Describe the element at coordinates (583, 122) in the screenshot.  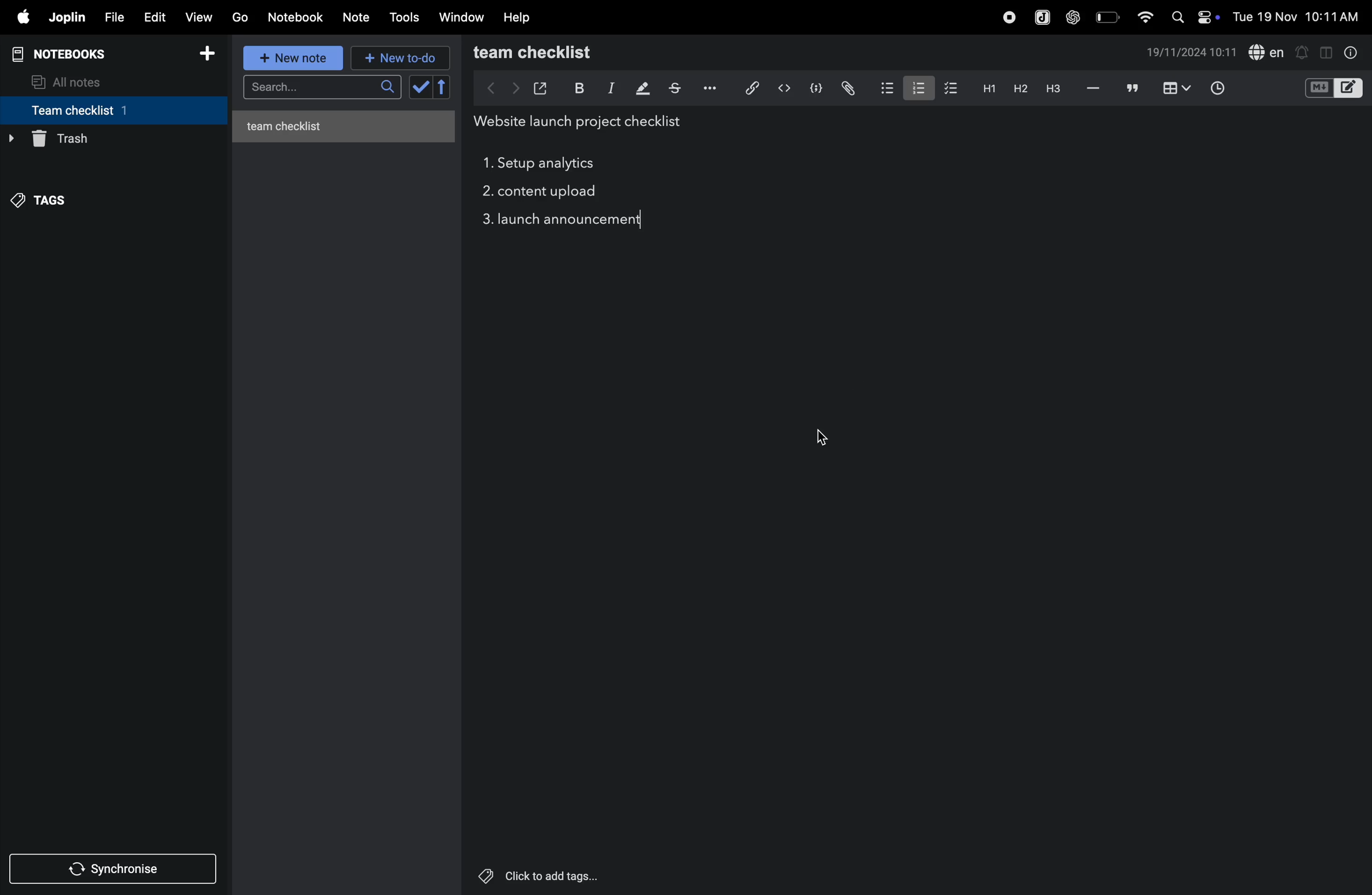
I see `title` at that location.